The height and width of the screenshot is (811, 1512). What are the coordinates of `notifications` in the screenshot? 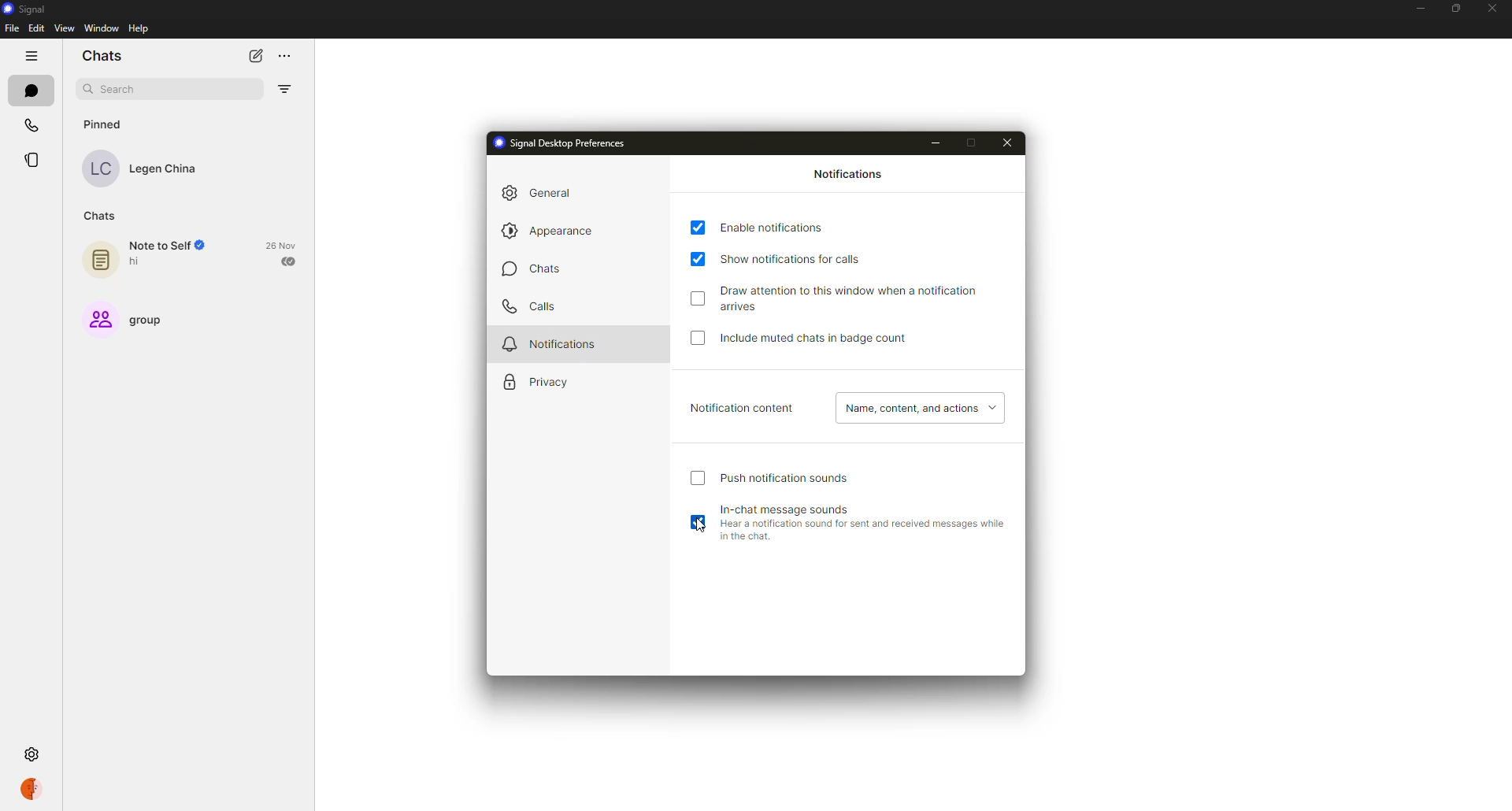 It's located at (849, 174).